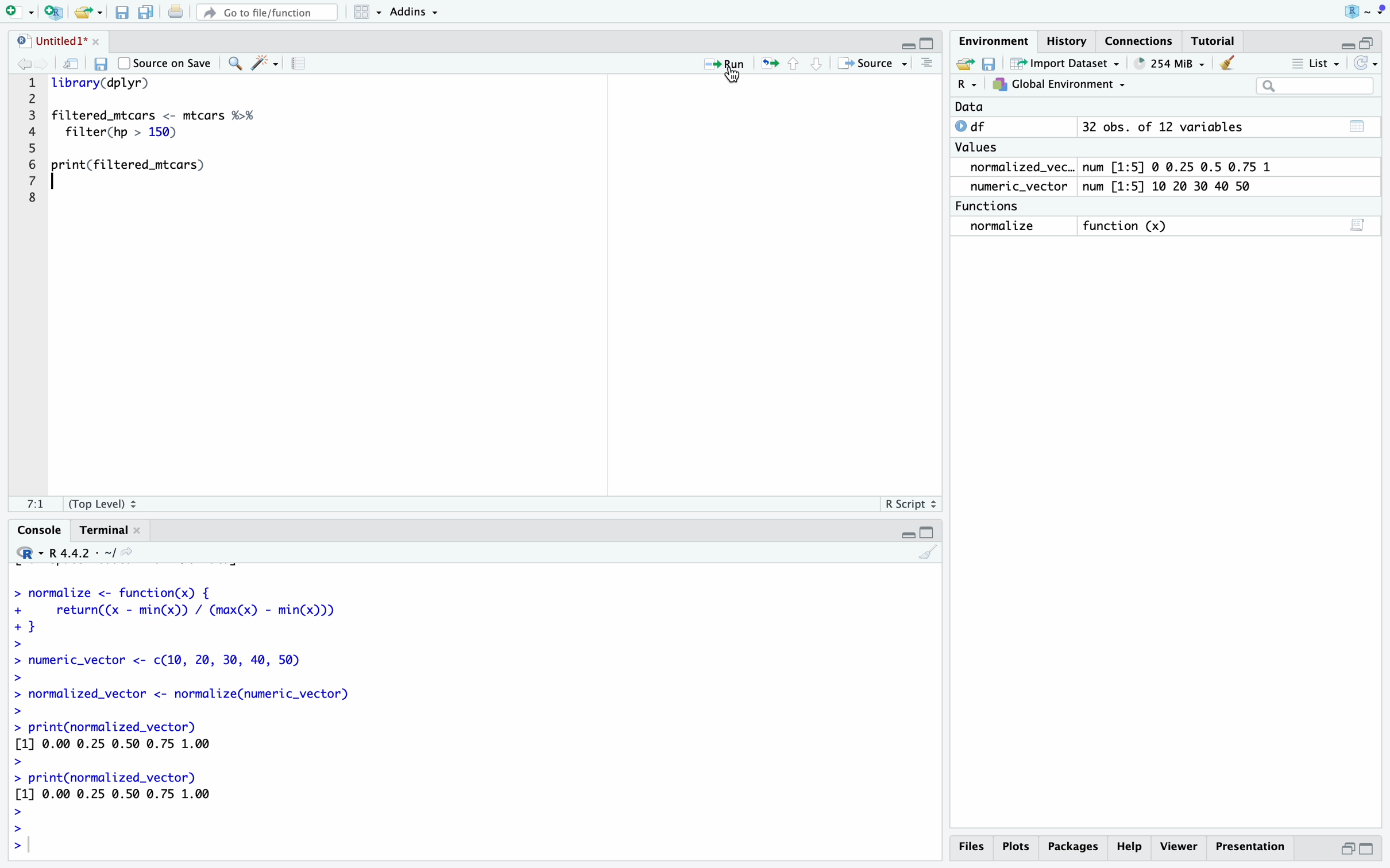 The image size is (1390, 868). I want to click on open file, so click(967, 64).